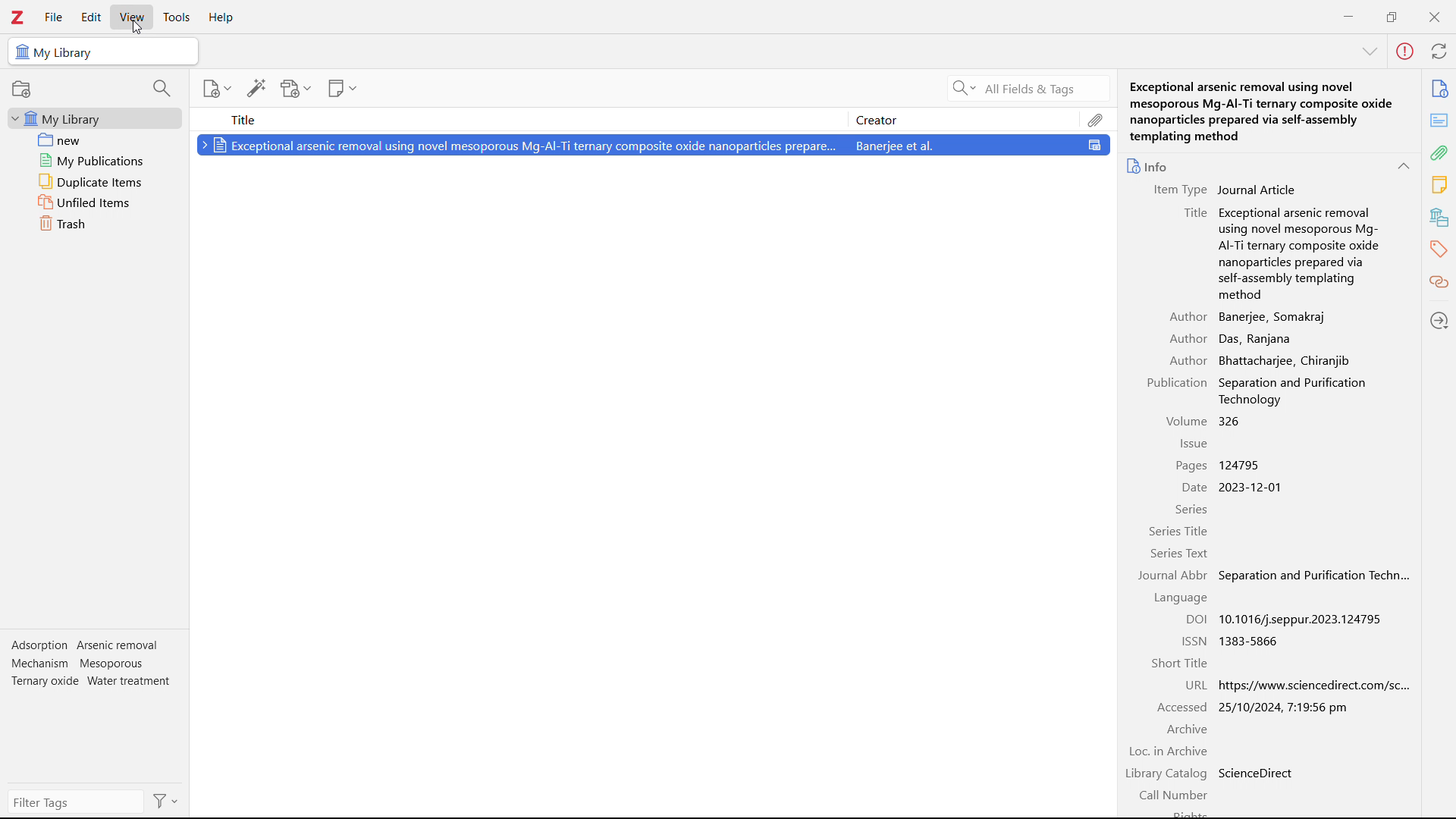  I want to click on 1383-5866, so click(1254, 642).